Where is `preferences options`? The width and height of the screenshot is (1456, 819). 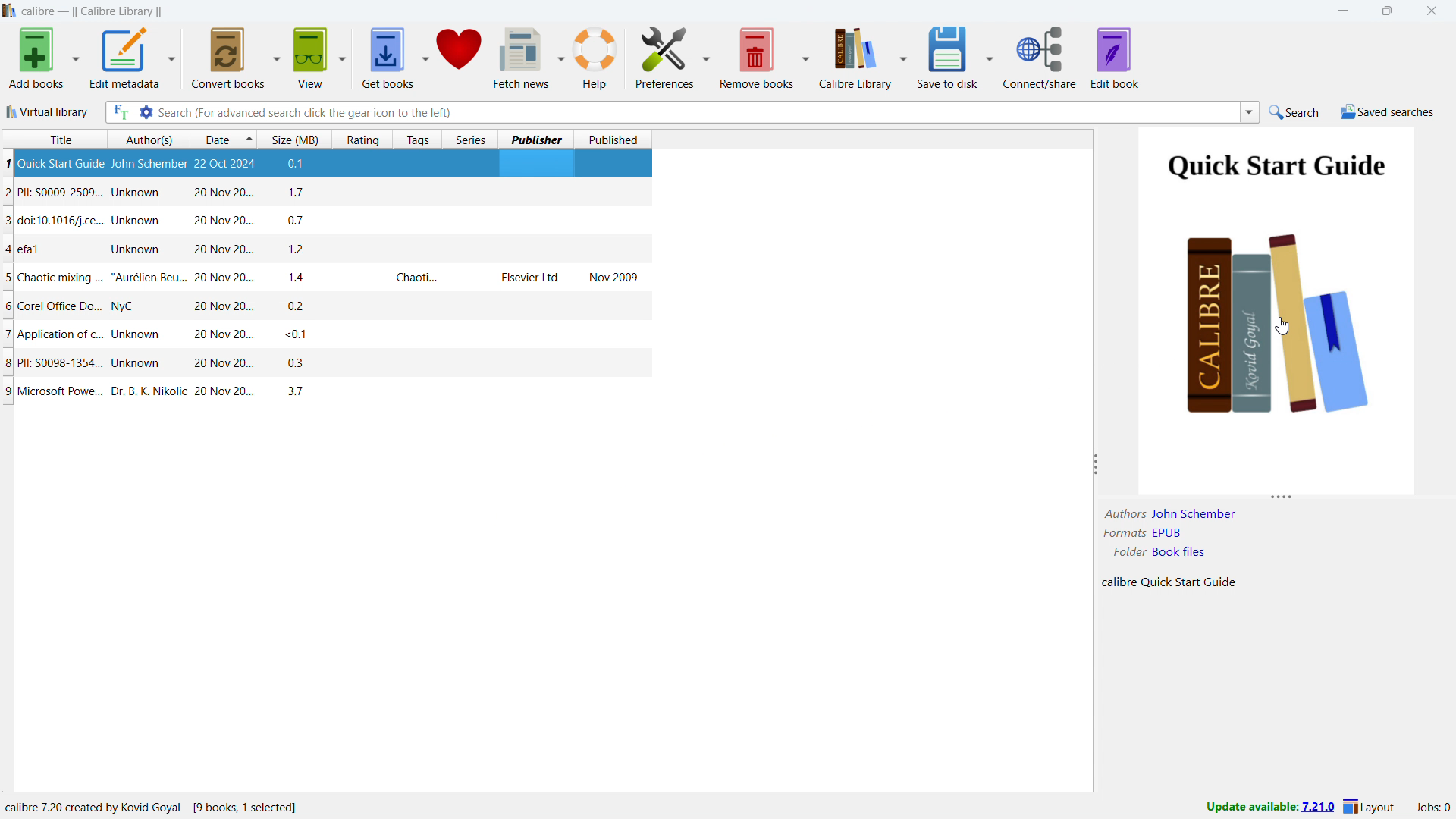
preferences options is located at coordinates (708, 56).